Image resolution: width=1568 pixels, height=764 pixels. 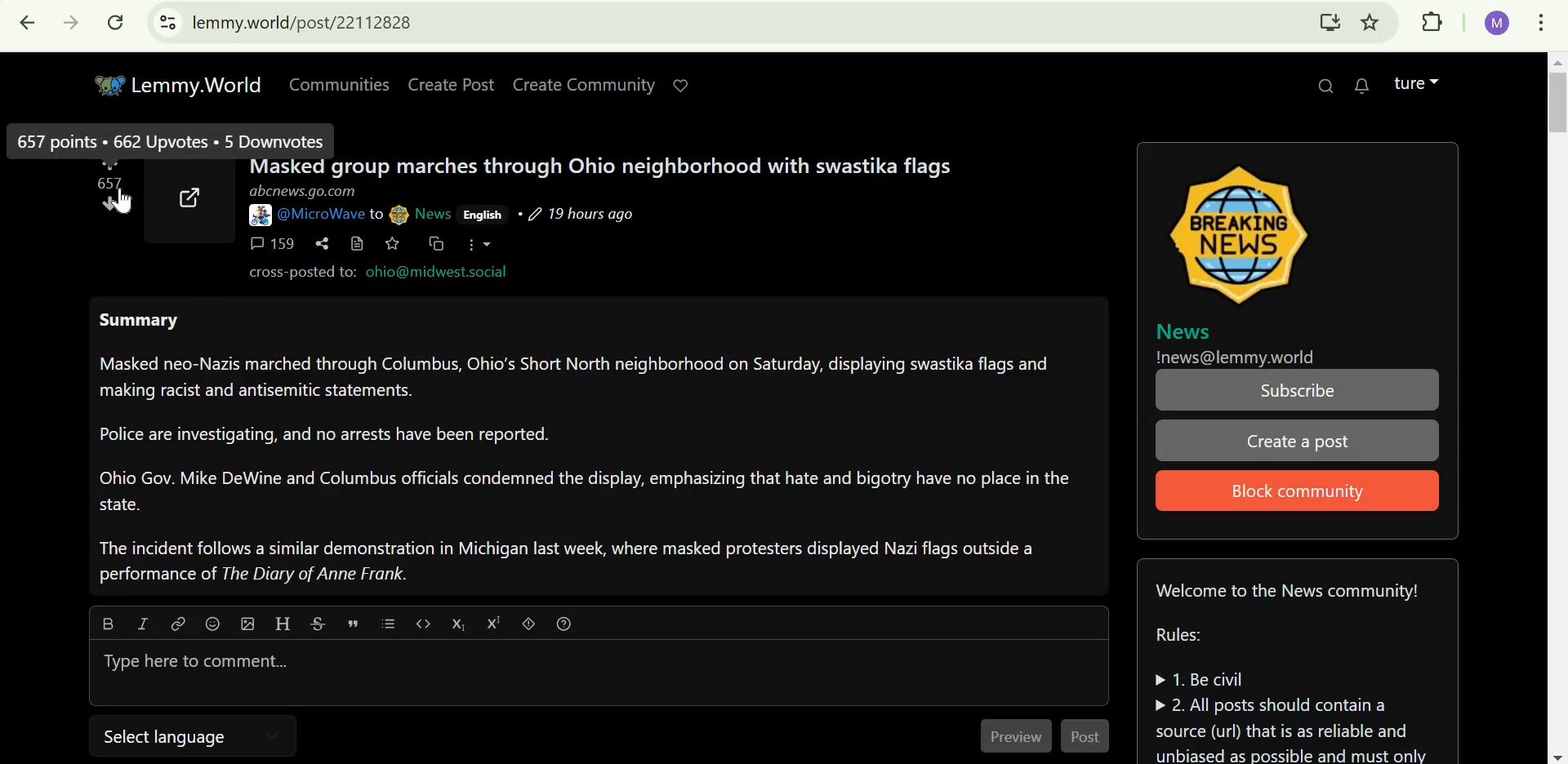 I want to click on external link, so click(x=192, y=196).